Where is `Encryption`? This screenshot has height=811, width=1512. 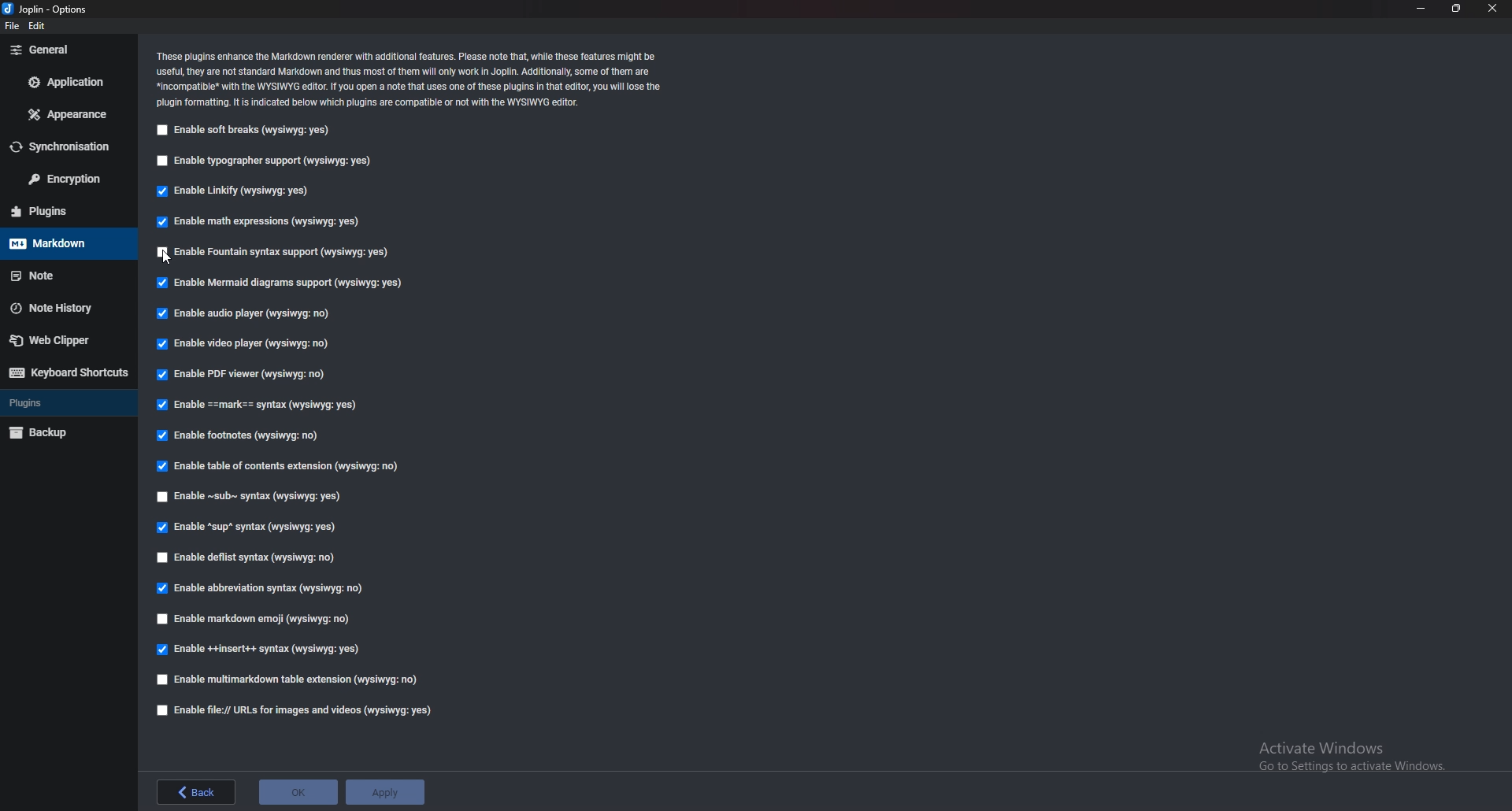
Encryption is located at coordinates (68, 180).